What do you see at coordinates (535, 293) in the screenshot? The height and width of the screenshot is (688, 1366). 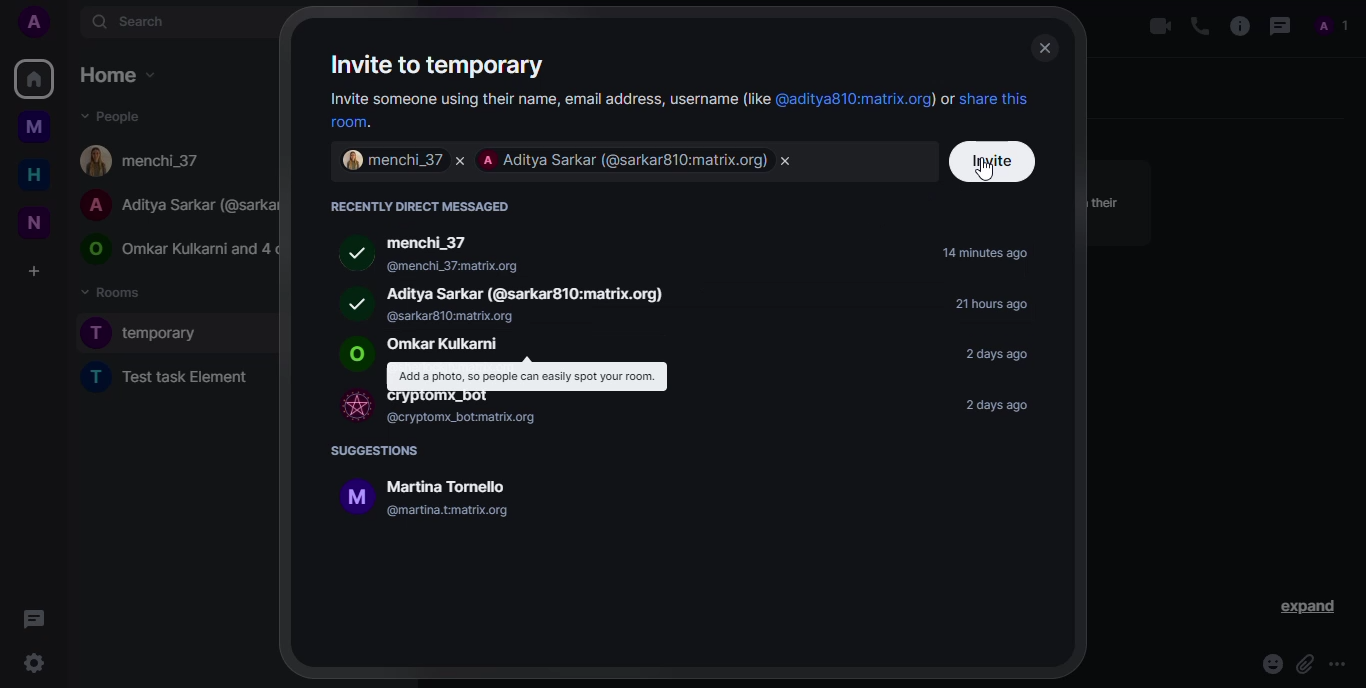 I see `Aditya Sarkar (@sarkar810:matrix.org)` at bounding box center [535, 293].